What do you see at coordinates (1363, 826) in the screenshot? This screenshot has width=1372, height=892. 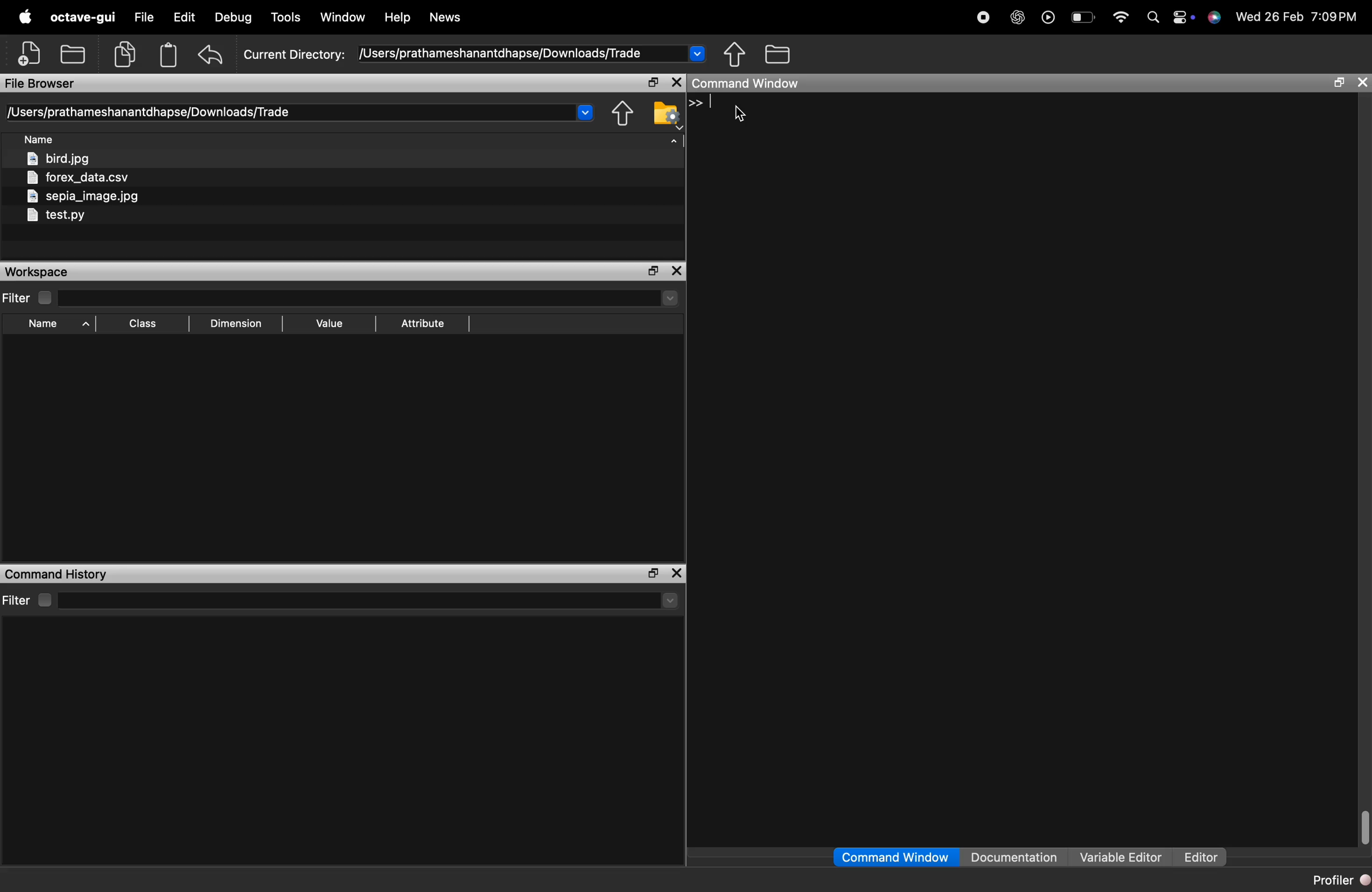 I see `vertical scrollbar` at bounding box center [1363, 826].